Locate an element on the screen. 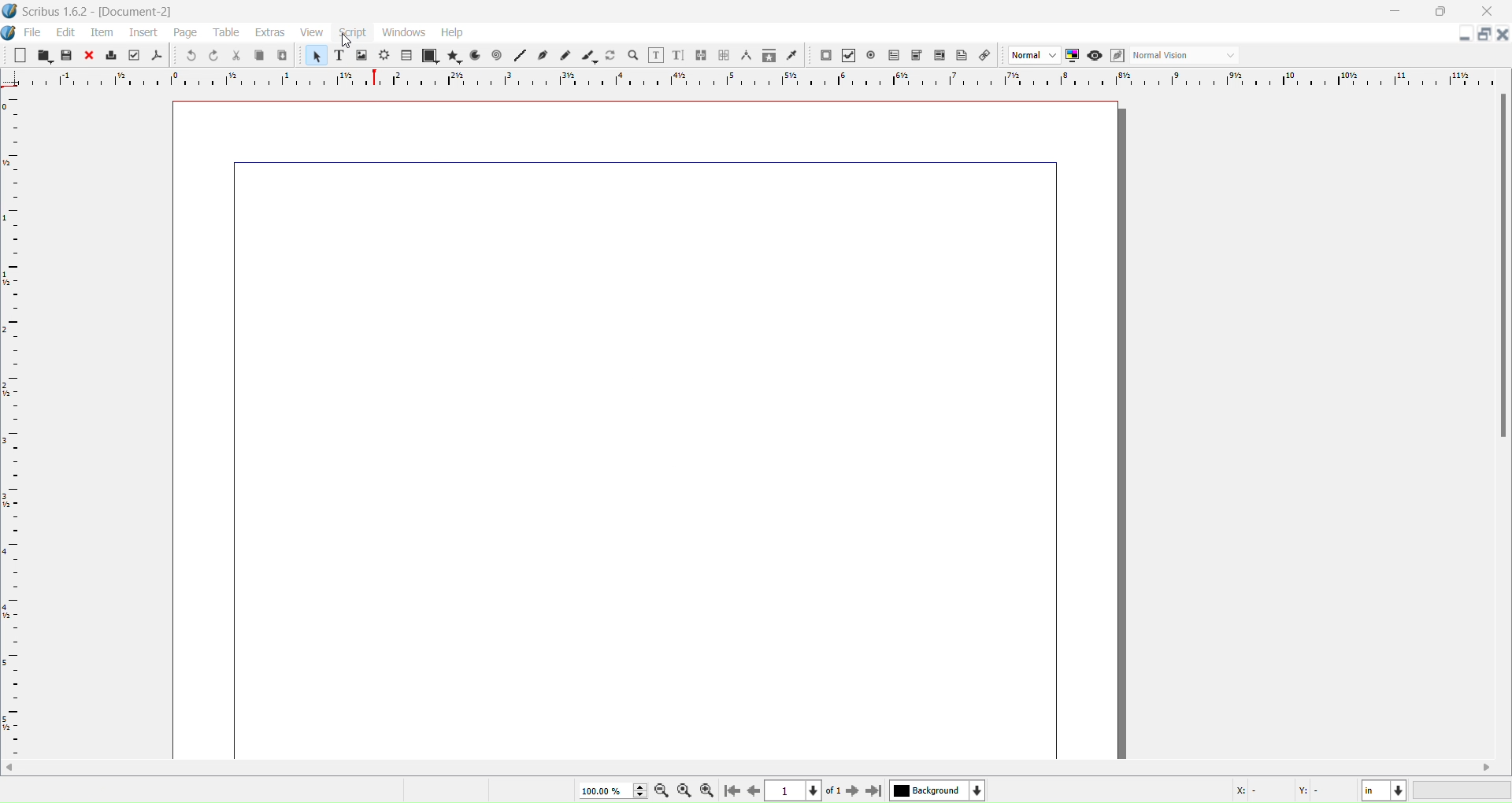  Zoom to 100% is located at coordinates (684, 791).